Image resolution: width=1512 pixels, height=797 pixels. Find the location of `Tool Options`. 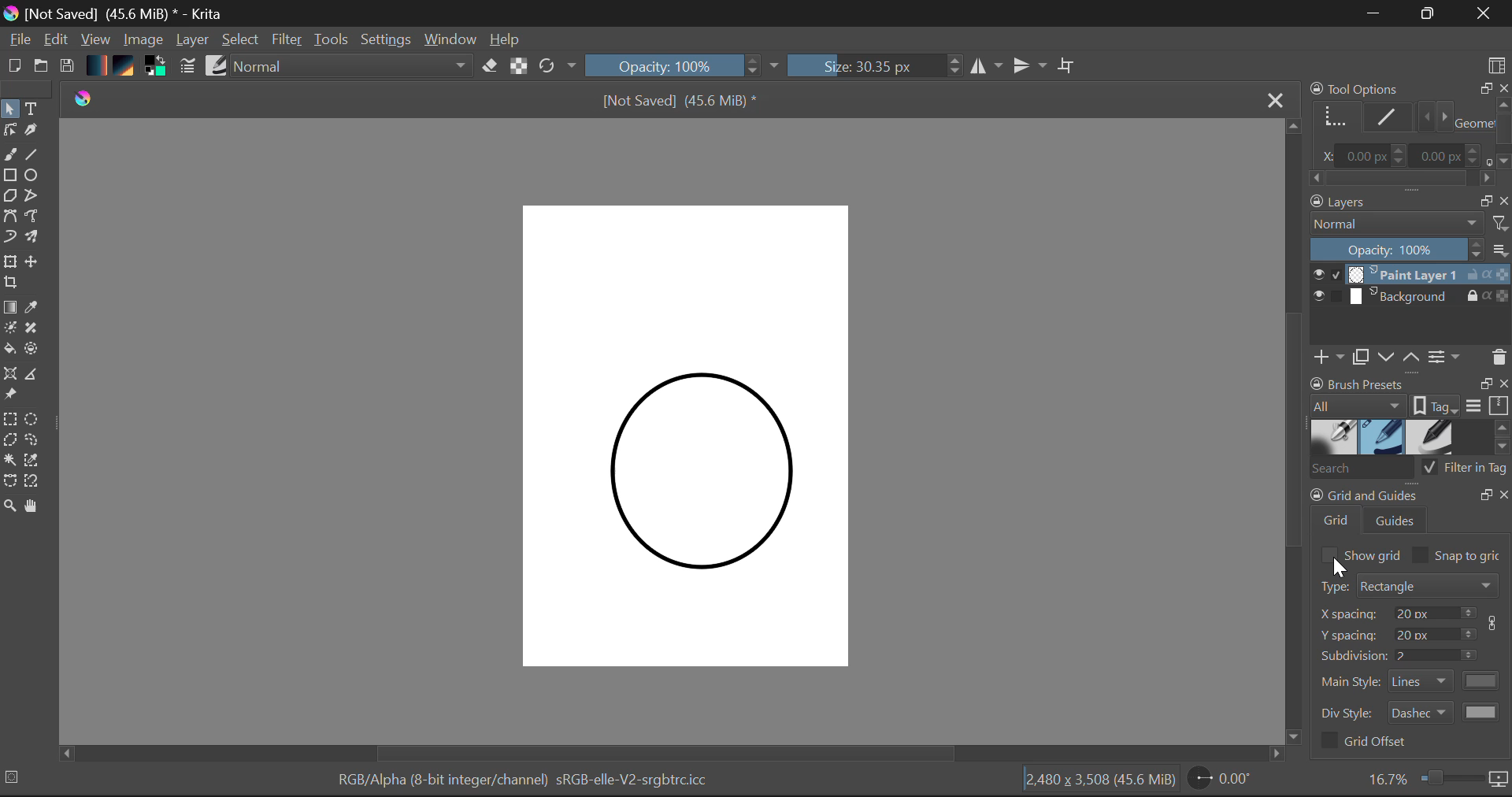

Tool Options is located at coordinates (1408, 132).